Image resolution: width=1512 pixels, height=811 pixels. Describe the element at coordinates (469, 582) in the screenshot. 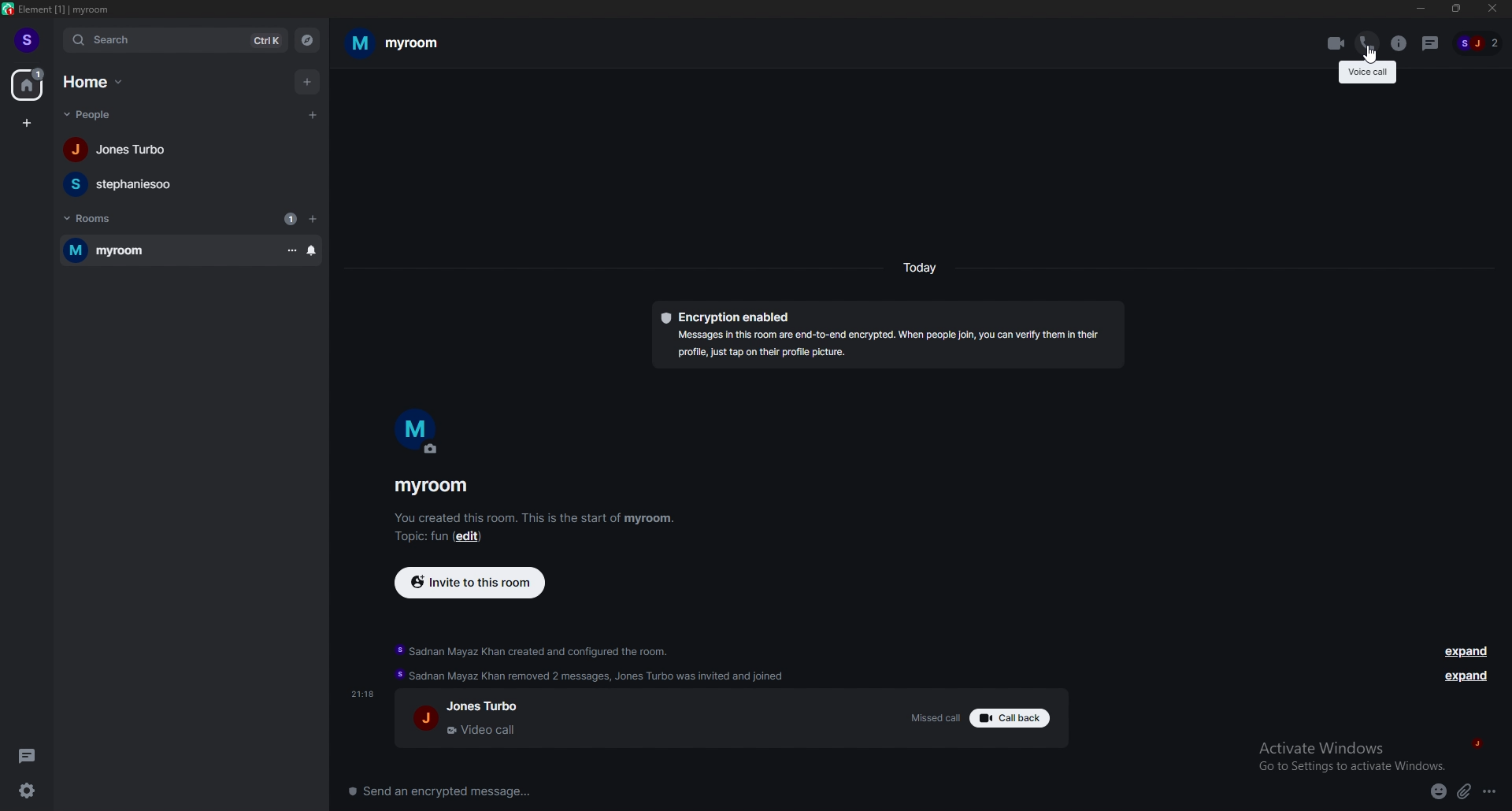

I see `invite to this room` at that location.